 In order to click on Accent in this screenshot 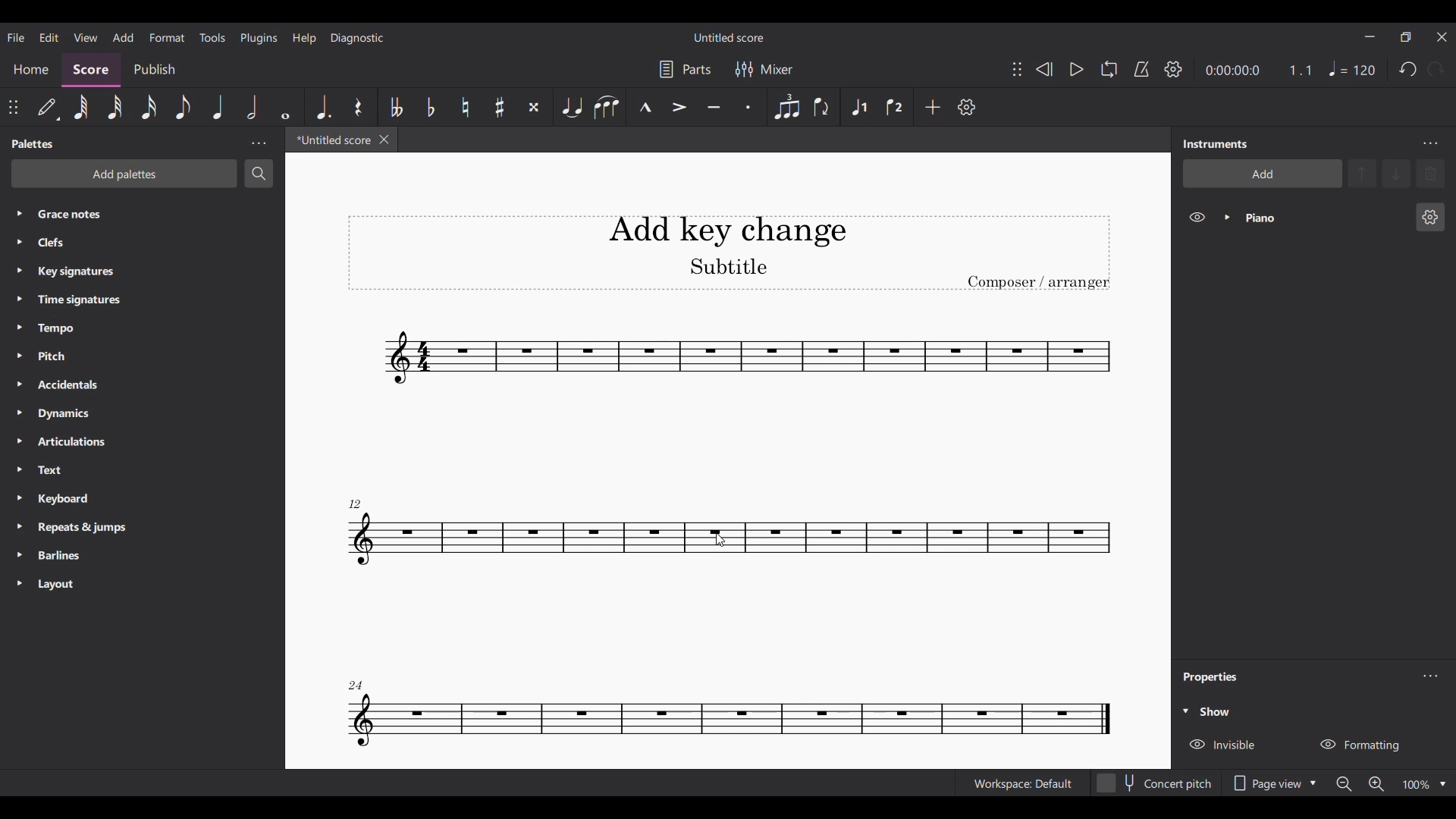, I will do `click(679, 107)`.